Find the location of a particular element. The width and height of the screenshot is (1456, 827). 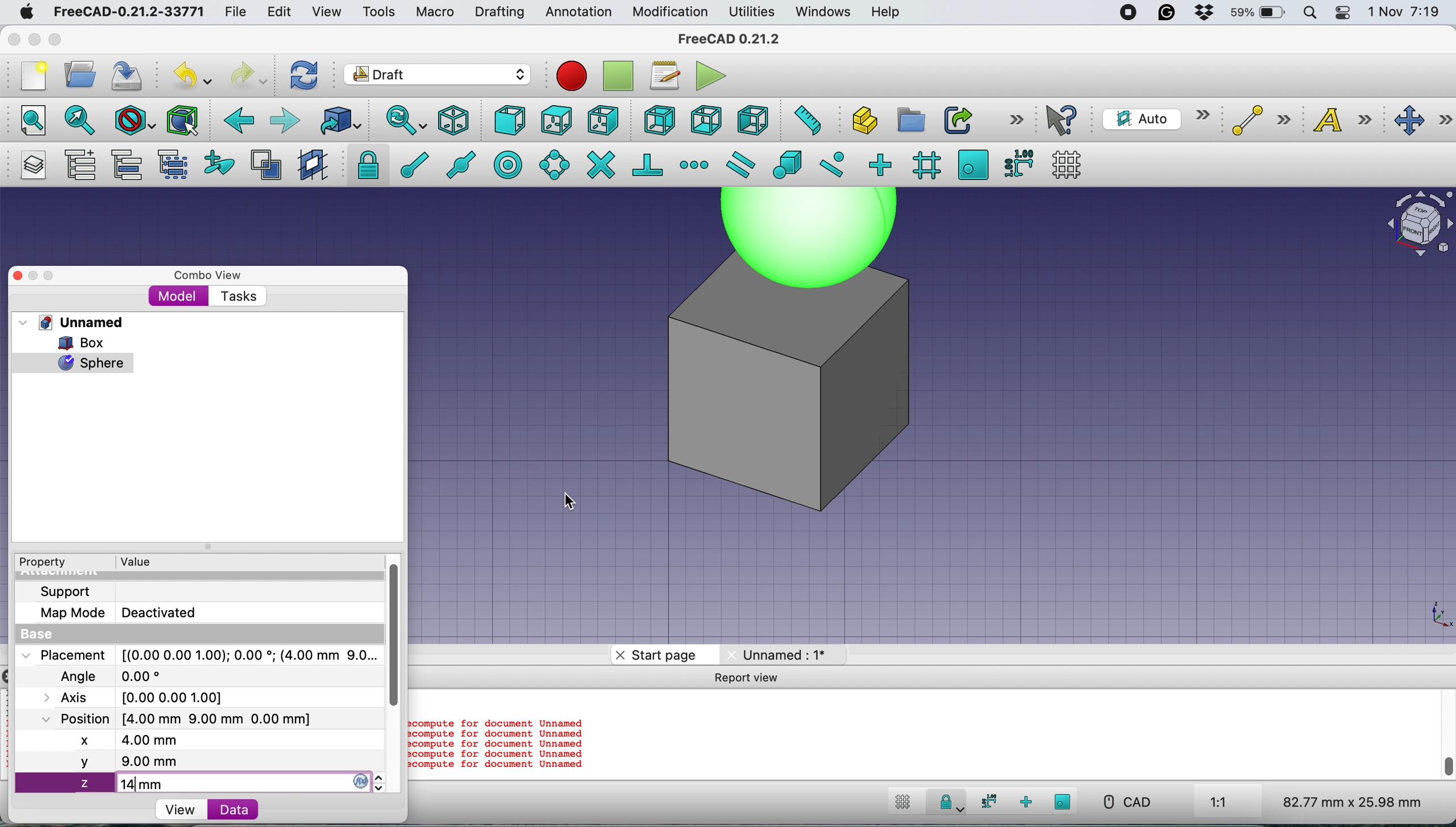

move is located at coordinates (1424, 121).